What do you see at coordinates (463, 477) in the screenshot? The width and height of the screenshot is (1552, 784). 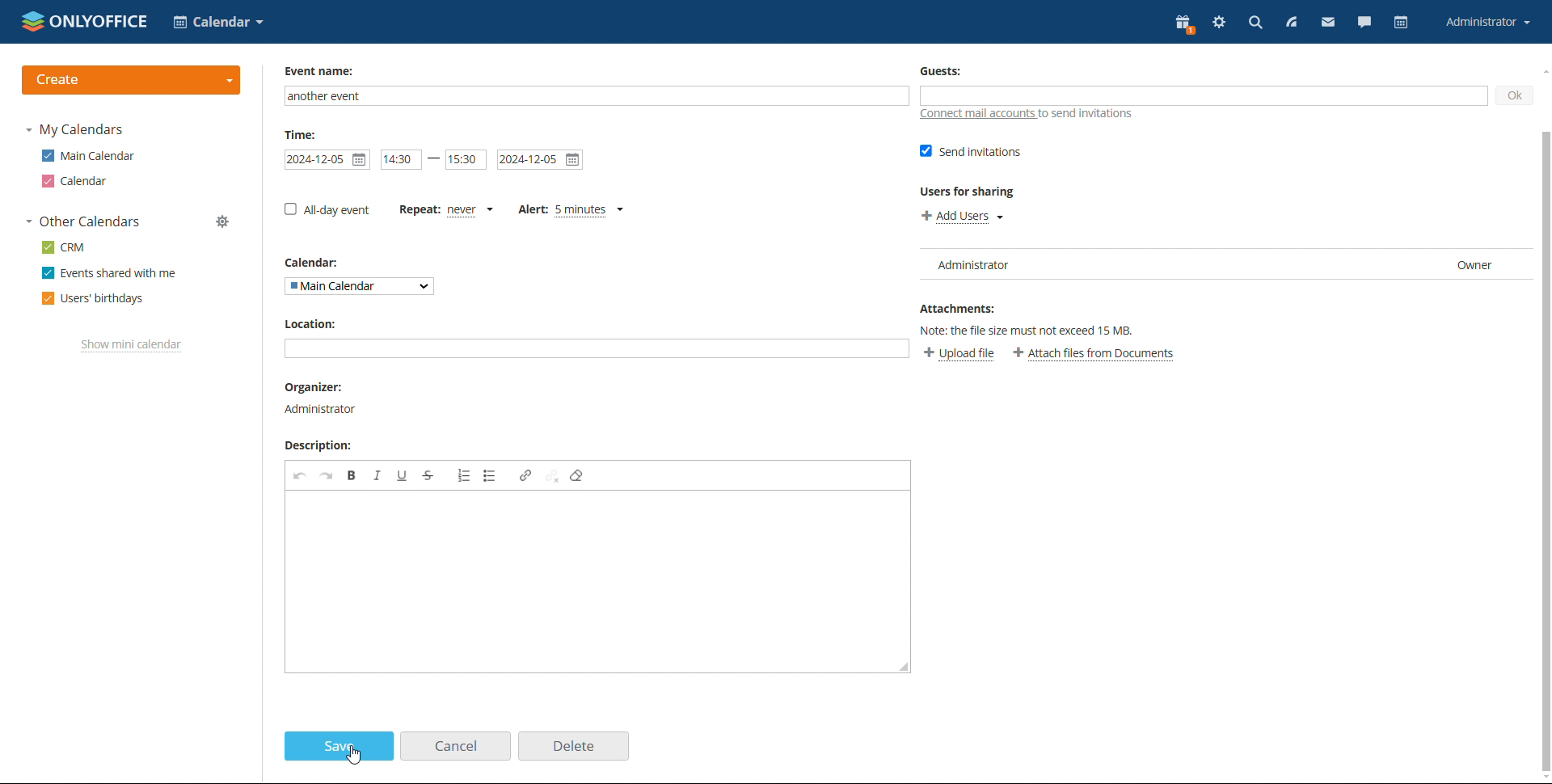 I see `insert/remove numbered list` at bounding box center [463, 477].